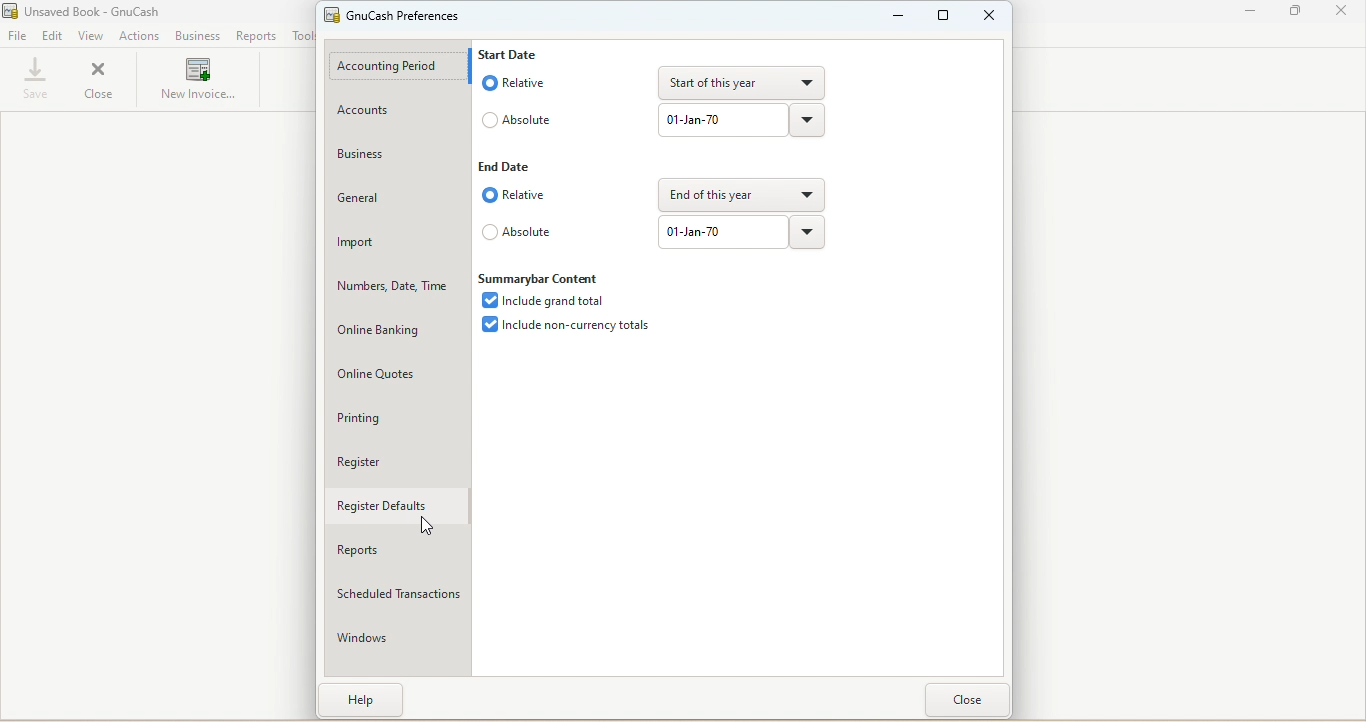 The height and width of the screenshot is (722, 1366). What do you see at coordinates (515, 164) in the screenshot?
I see `End date` at bounding box center [515, 164].